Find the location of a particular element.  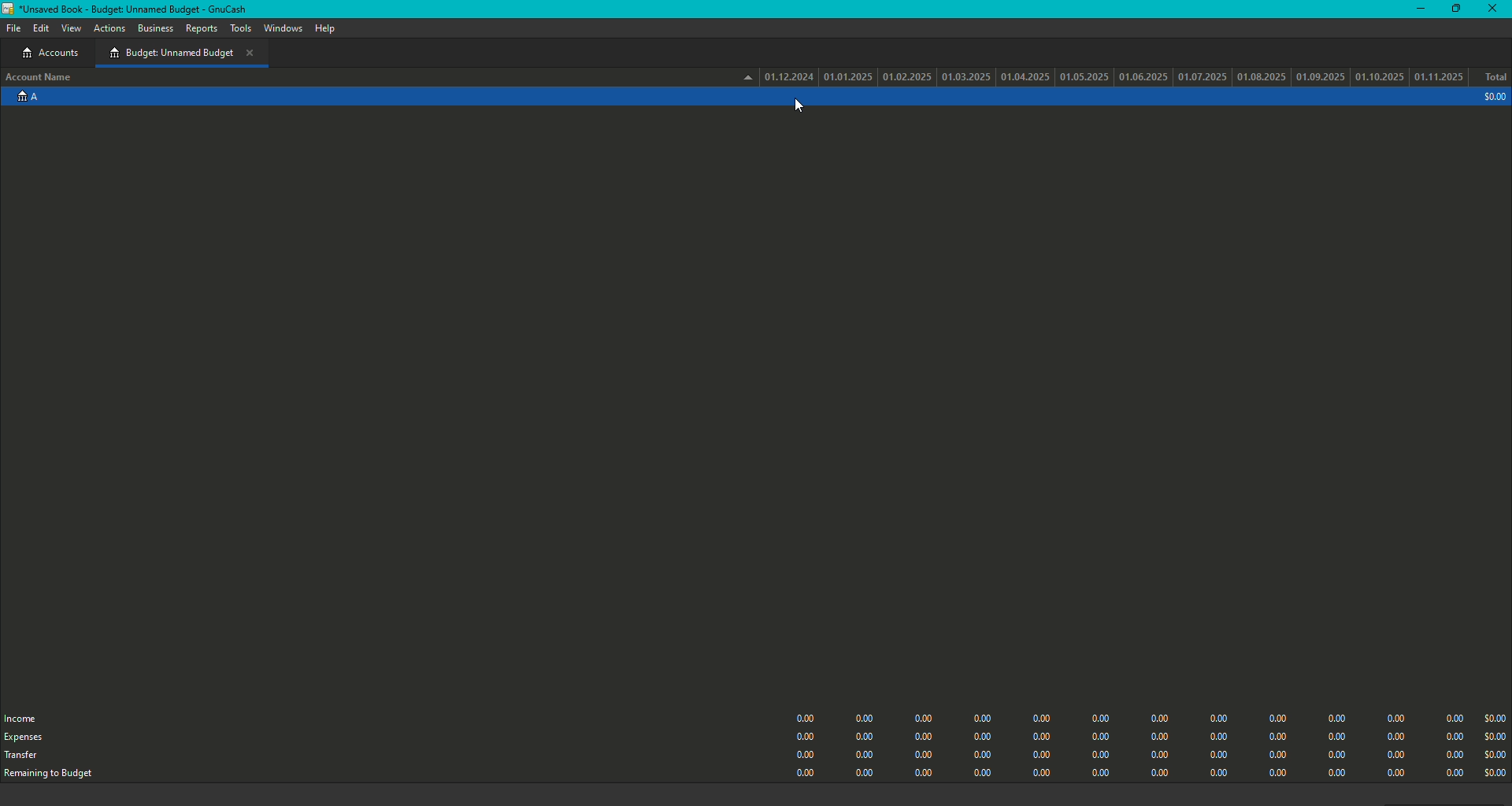

GnuCash is located at coordinates (131, 9).